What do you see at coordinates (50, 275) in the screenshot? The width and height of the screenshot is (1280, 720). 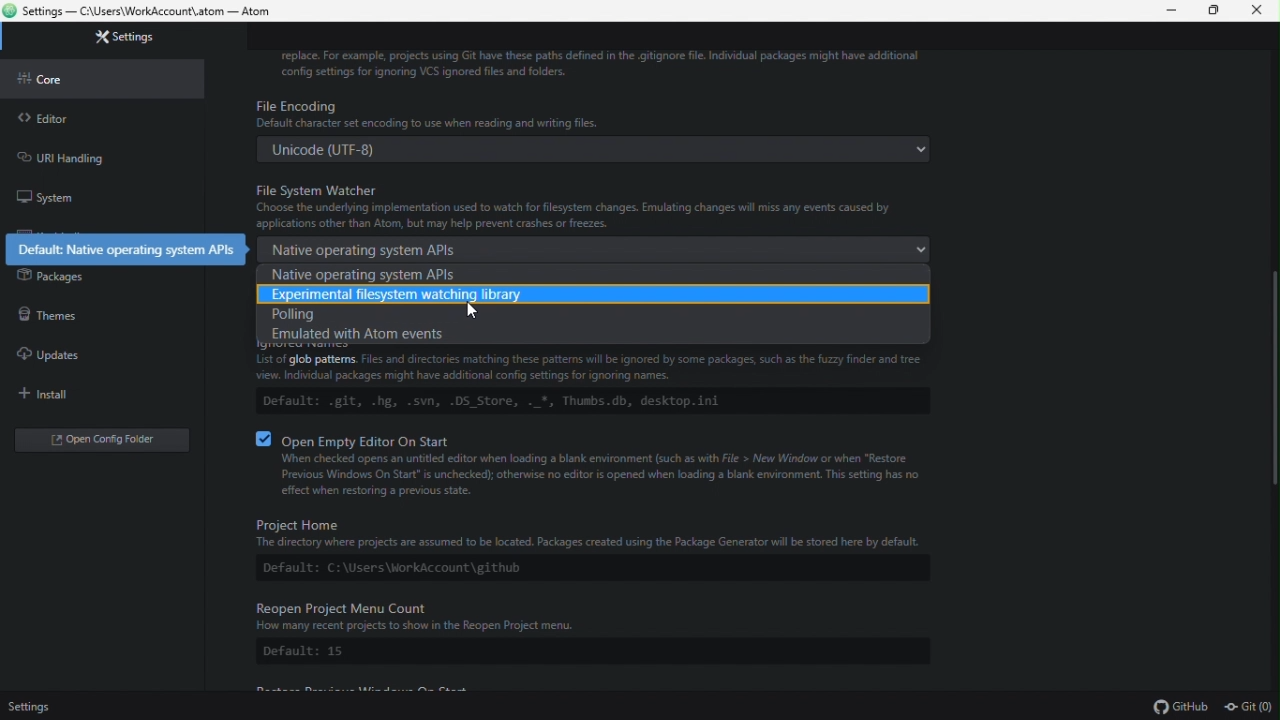 I see `Packages` at bounding box center [50, 275].